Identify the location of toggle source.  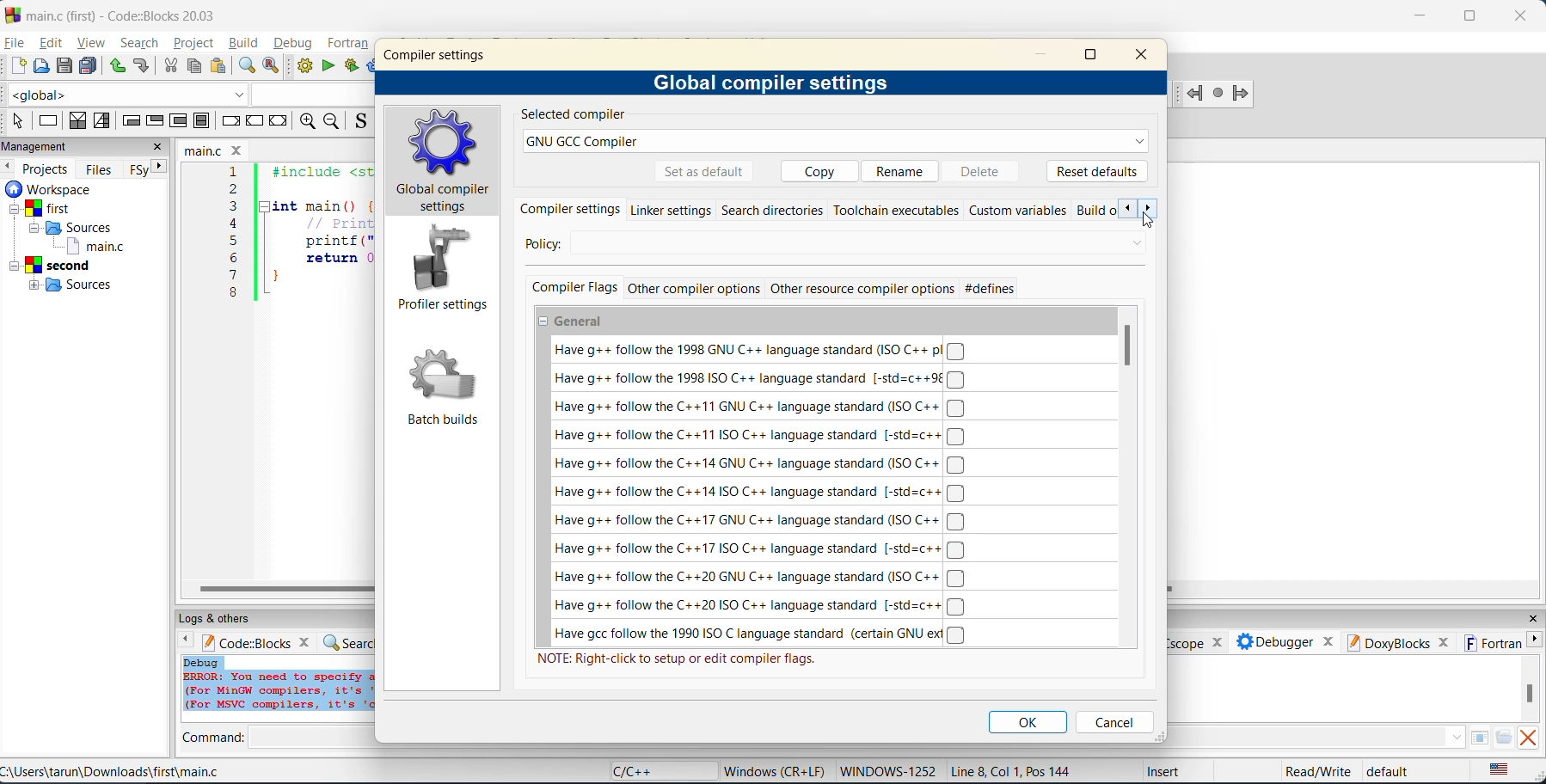
(359, 123).